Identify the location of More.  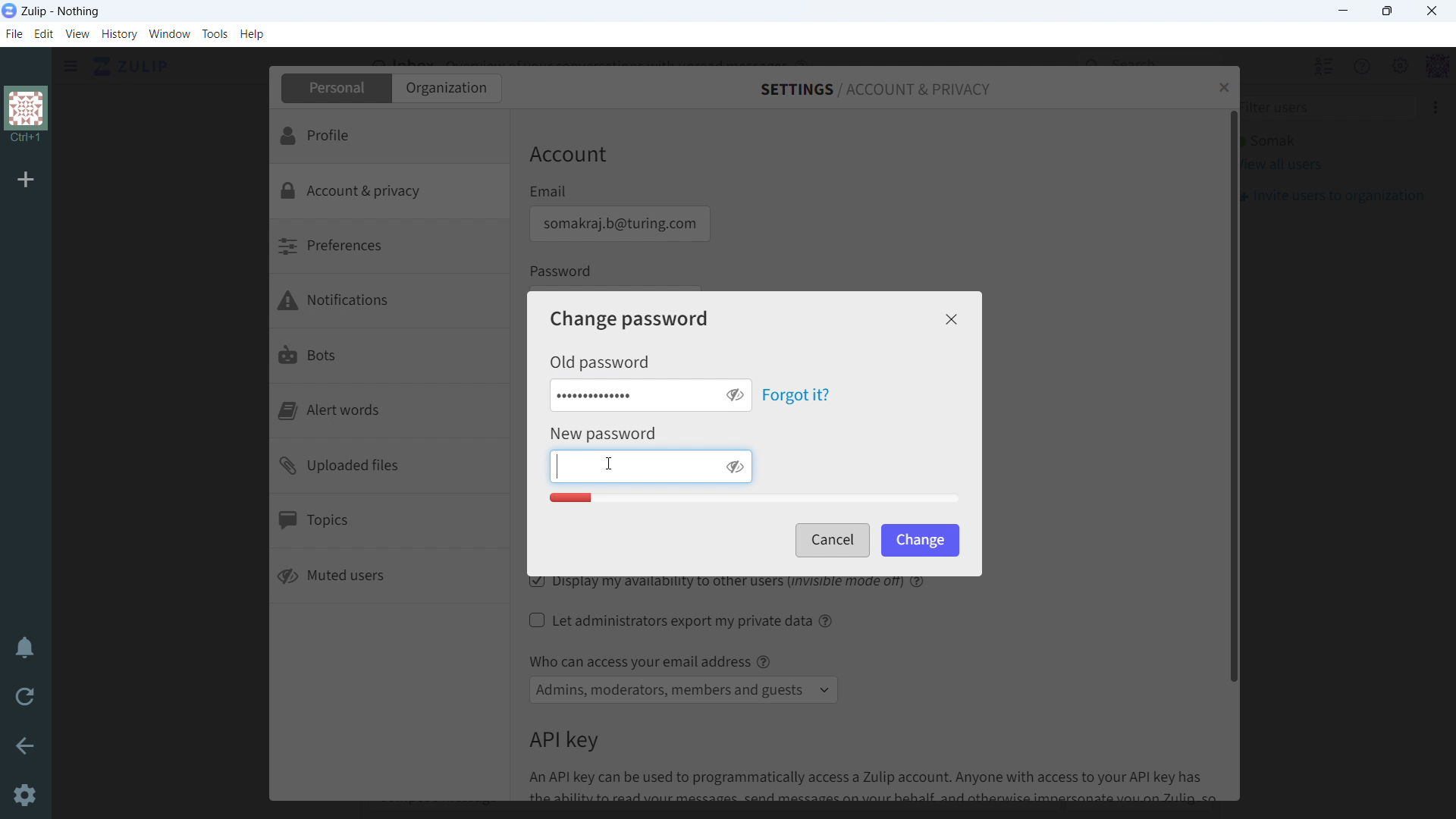
(1432, 106).